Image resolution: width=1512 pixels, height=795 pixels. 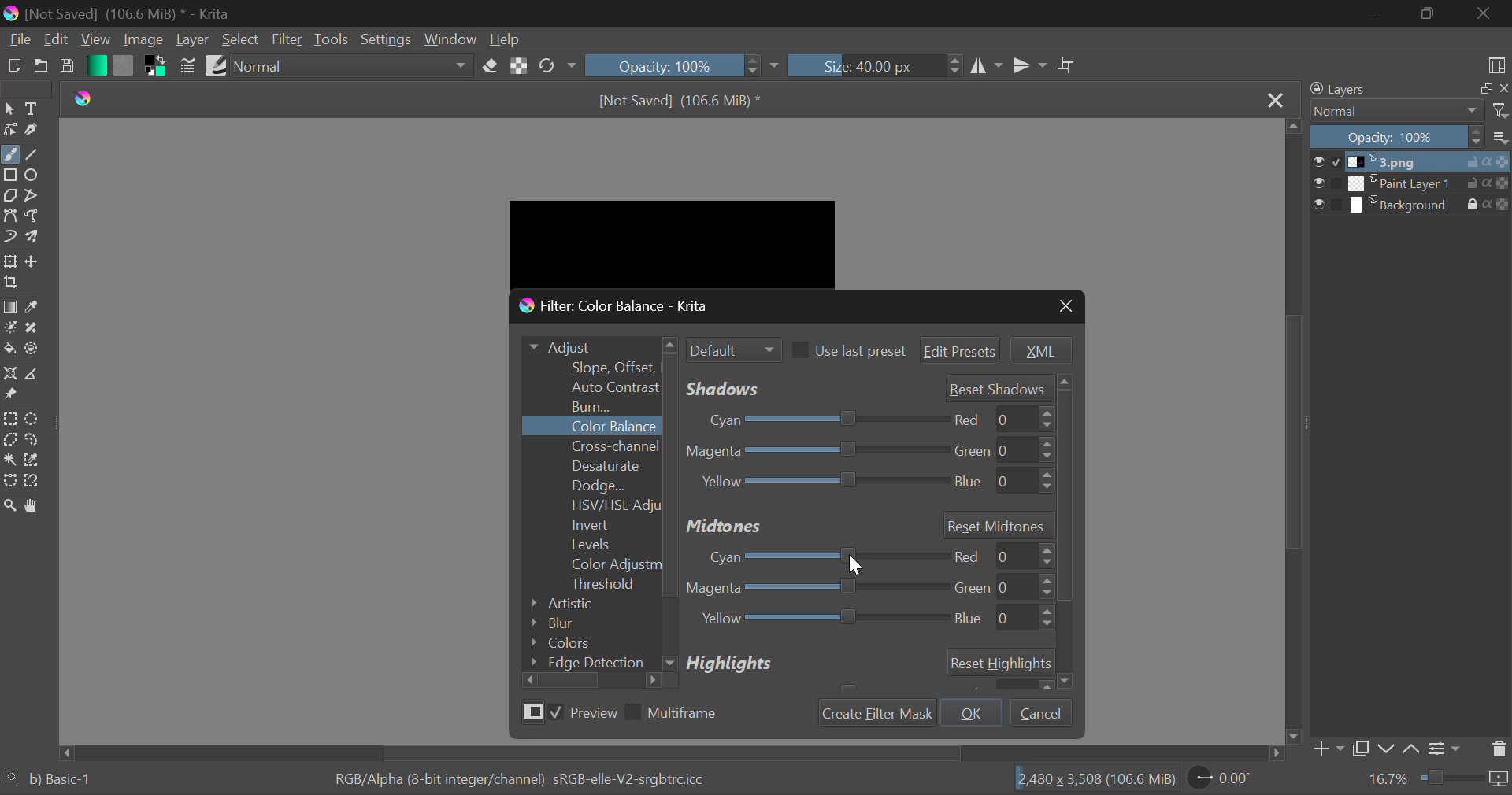 I want to click on Cancel, so click(x=1039, y=711).